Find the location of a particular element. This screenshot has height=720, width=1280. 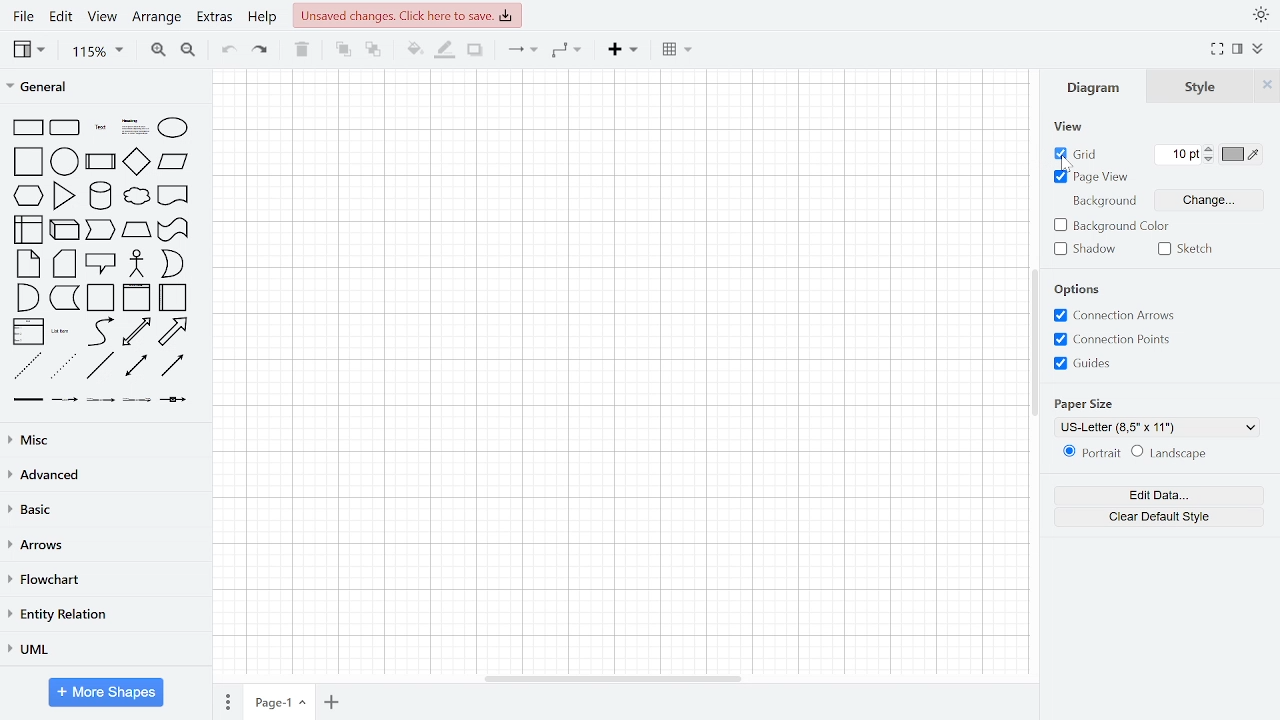

note is located at coordinates (30, 262).